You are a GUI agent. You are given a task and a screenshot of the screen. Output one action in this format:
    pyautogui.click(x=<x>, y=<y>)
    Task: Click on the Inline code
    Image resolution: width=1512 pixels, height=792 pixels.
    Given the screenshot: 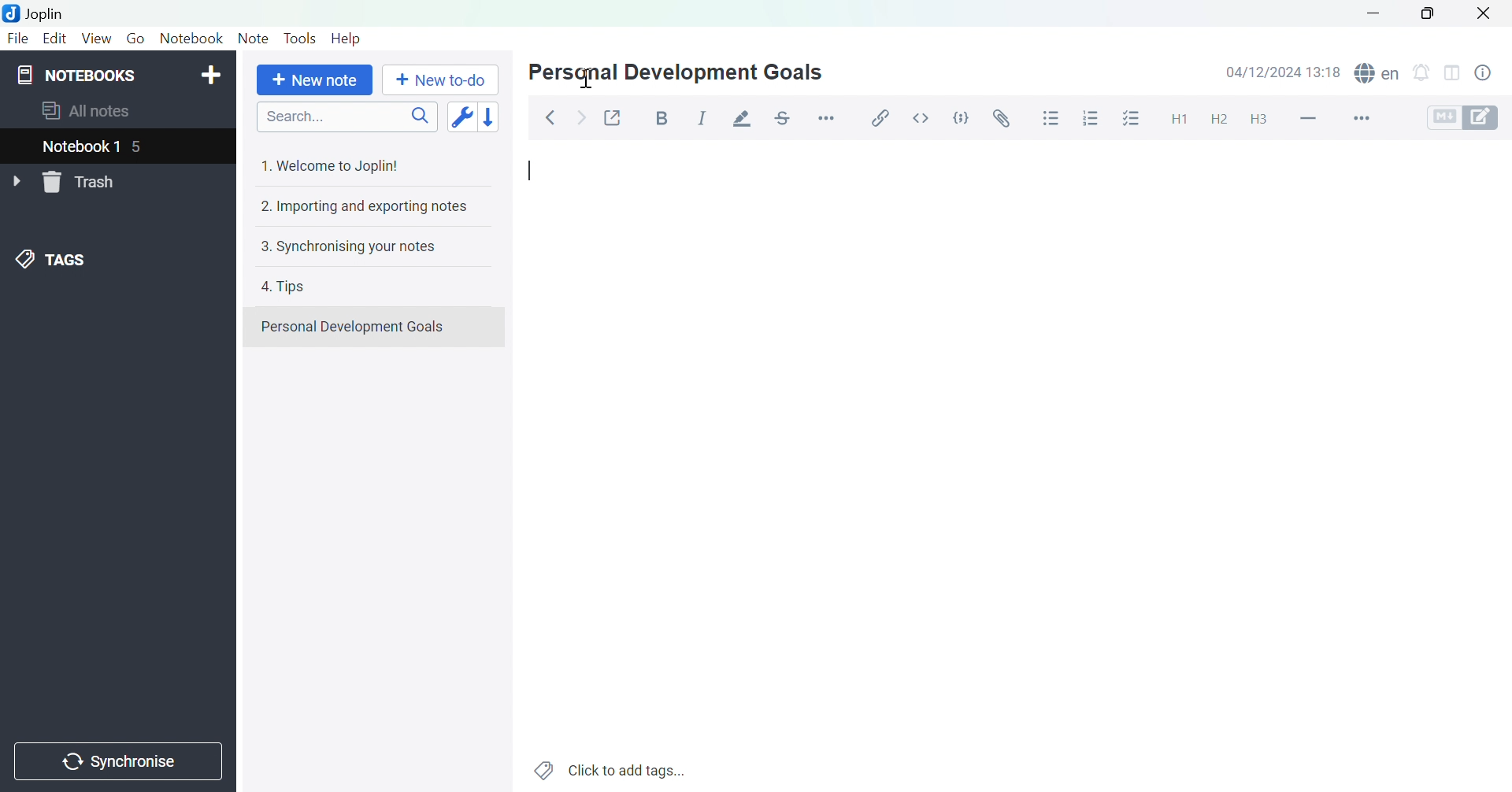 What is the action you would take?
    pyautogui.click(x=919, y=120)
    